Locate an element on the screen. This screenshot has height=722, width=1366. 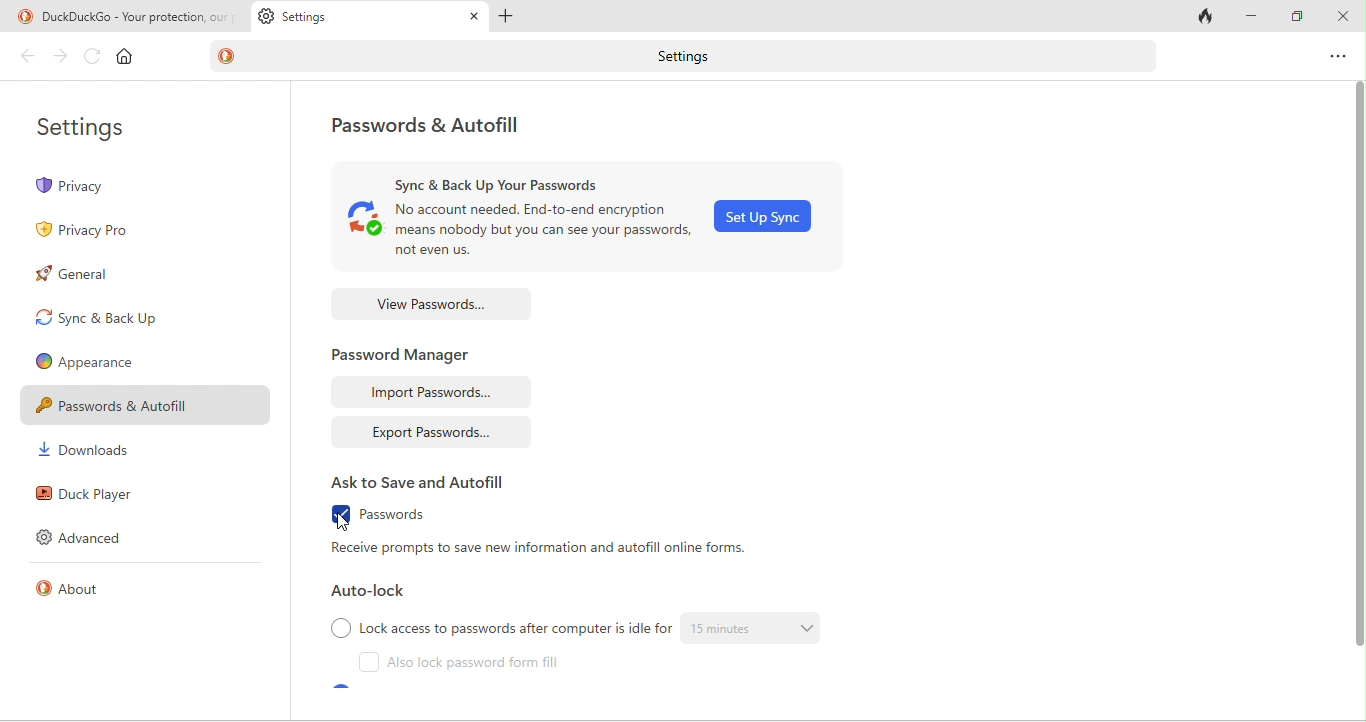
password and autofill is located at coordinates (441, 125).